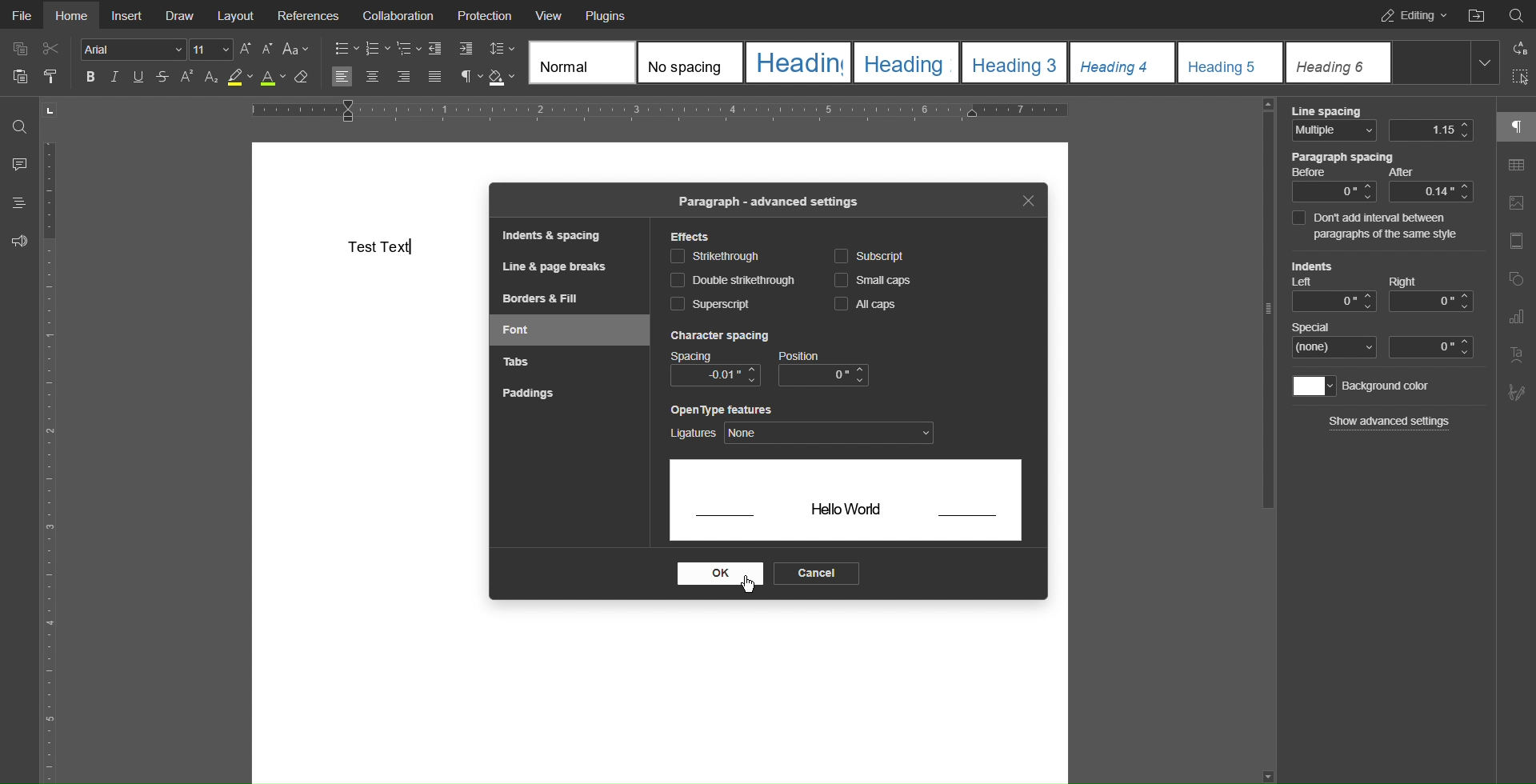 The height and width of the screenshot is (784, 1536). Describe the element at coordinates (502, 78) in the screenshot. I see `Fill Color` at that location.